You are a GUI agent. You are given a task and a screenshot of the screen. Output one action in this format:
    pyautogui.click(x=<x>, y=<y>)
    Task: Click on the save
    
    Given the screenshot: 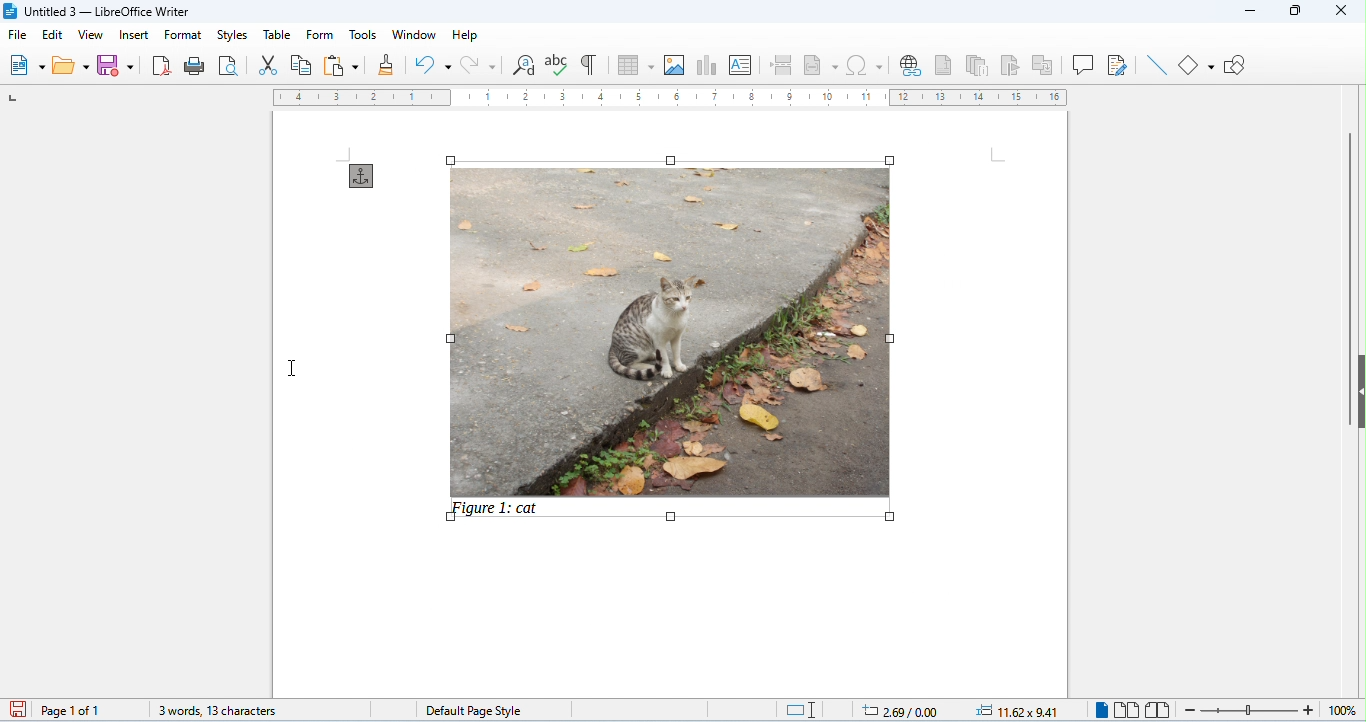 What is the action you would take?
    pyautogui.click(x=120, y=65)
    